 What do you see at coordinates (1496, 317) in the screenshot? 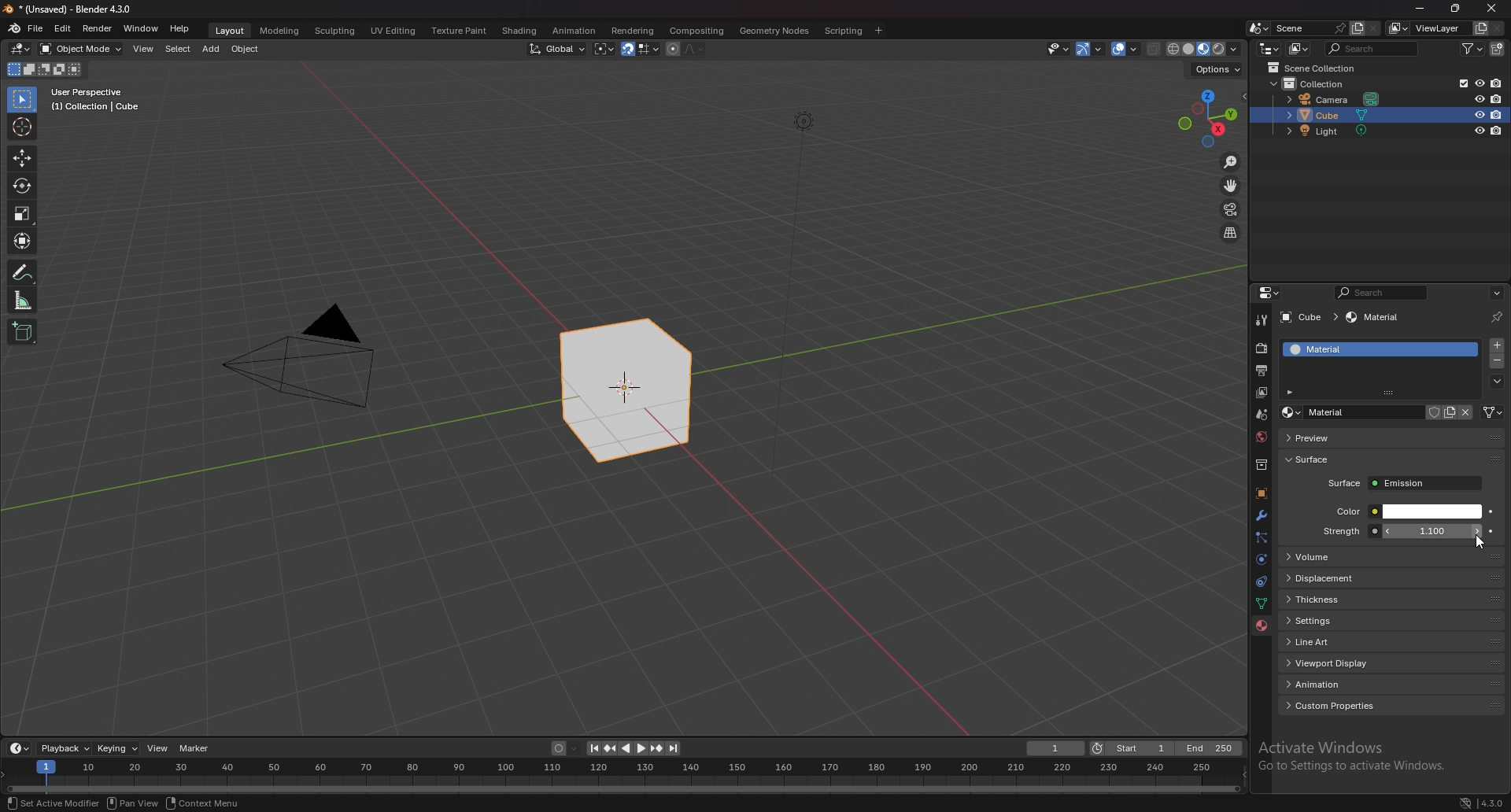
I see `toggle pin id` at bounding box center [1496, 317].